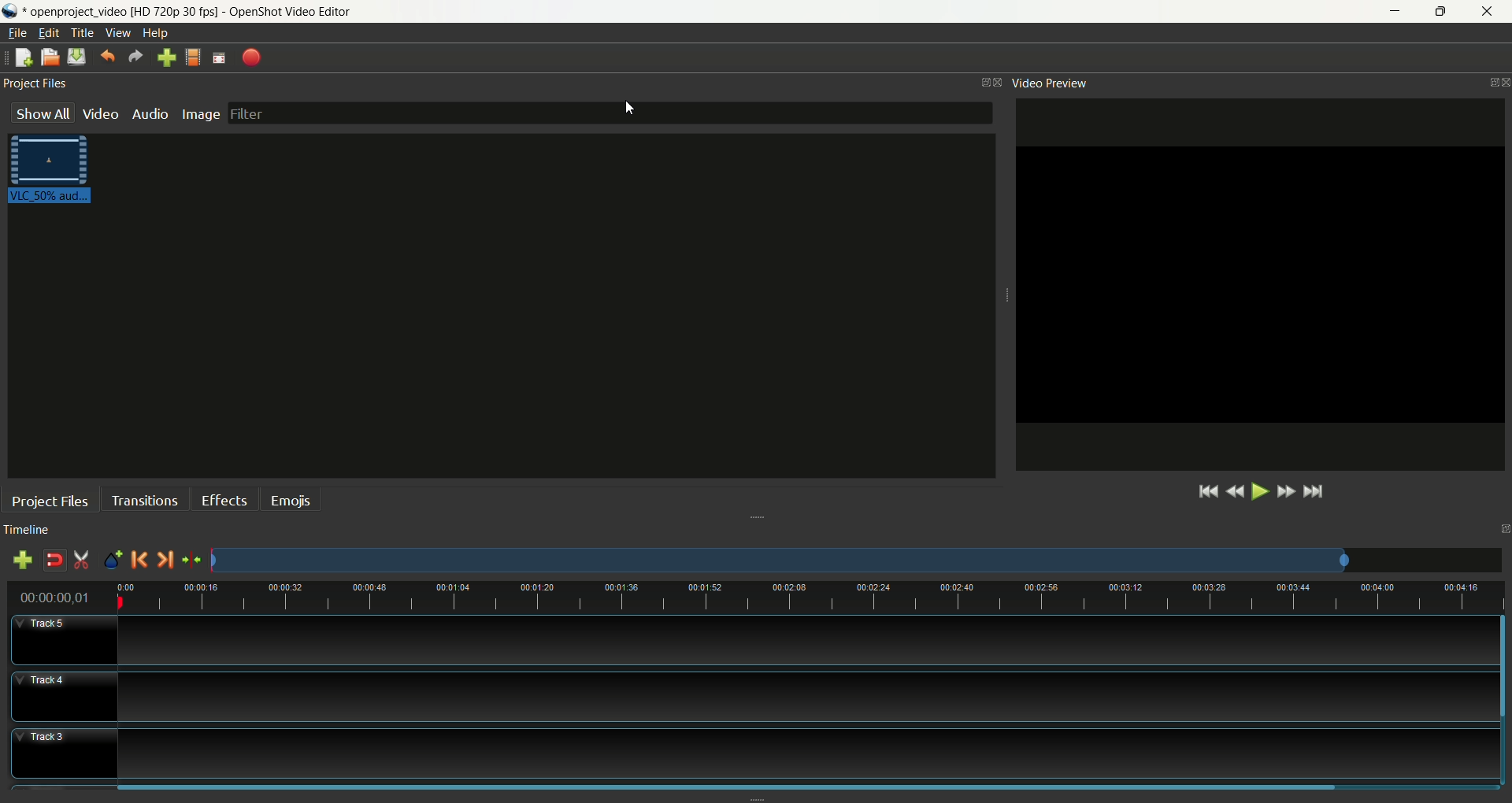  Describe the element at coordinates (80, 561) in the screenshot. I see `enable razor` at that location.